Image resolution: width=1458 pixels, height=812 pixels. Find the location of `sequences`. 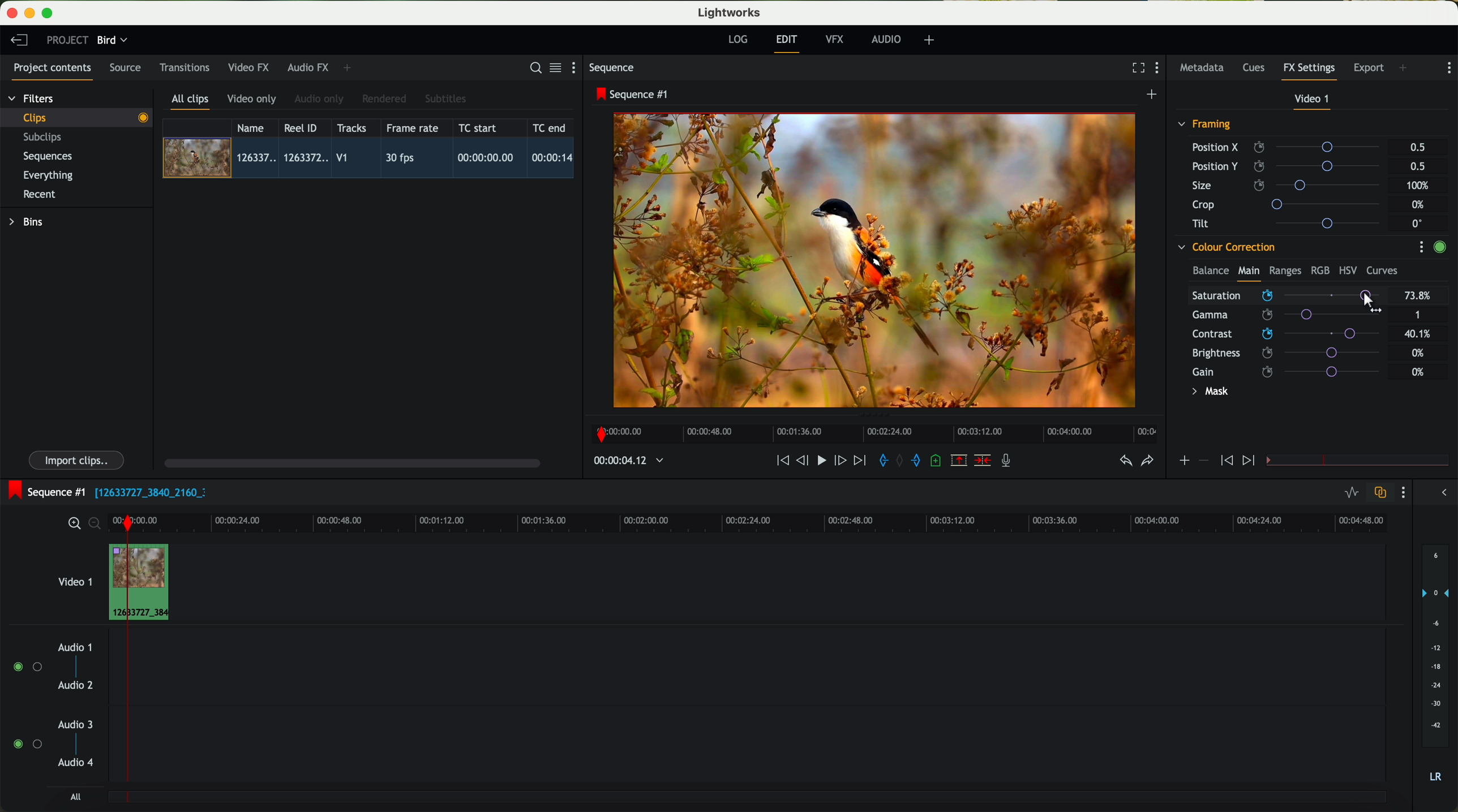

sequences is located at coordinates (48, 157).